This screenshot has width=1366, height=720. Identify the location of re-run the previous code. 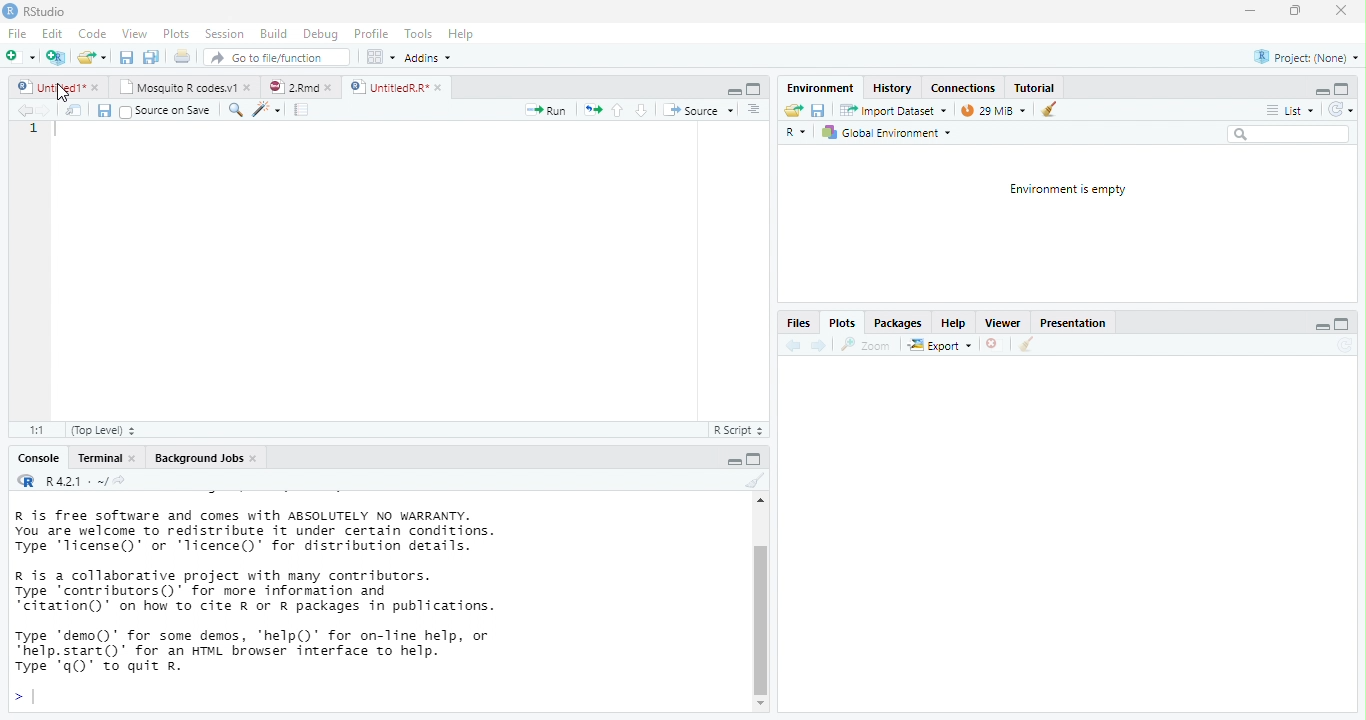
(593, 110).